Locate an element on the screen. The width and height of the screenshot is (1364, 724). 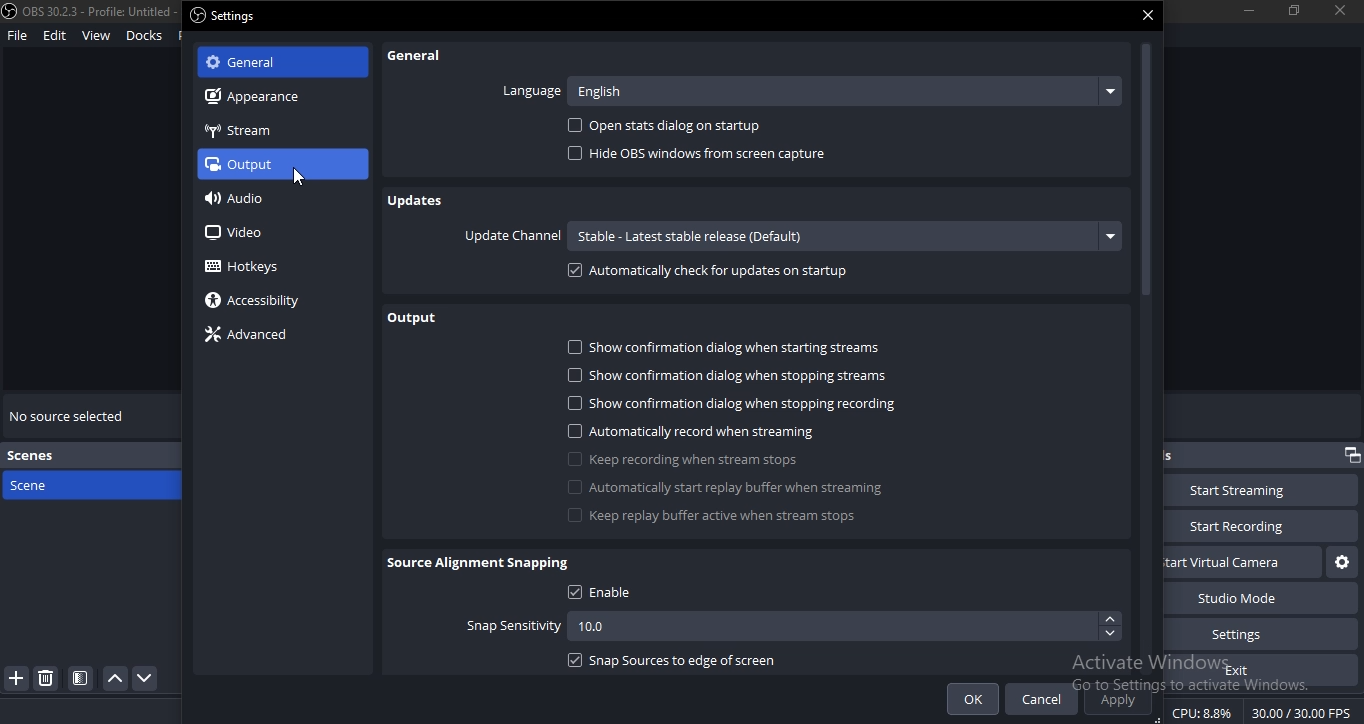
view is located at coordinates (95, 36).